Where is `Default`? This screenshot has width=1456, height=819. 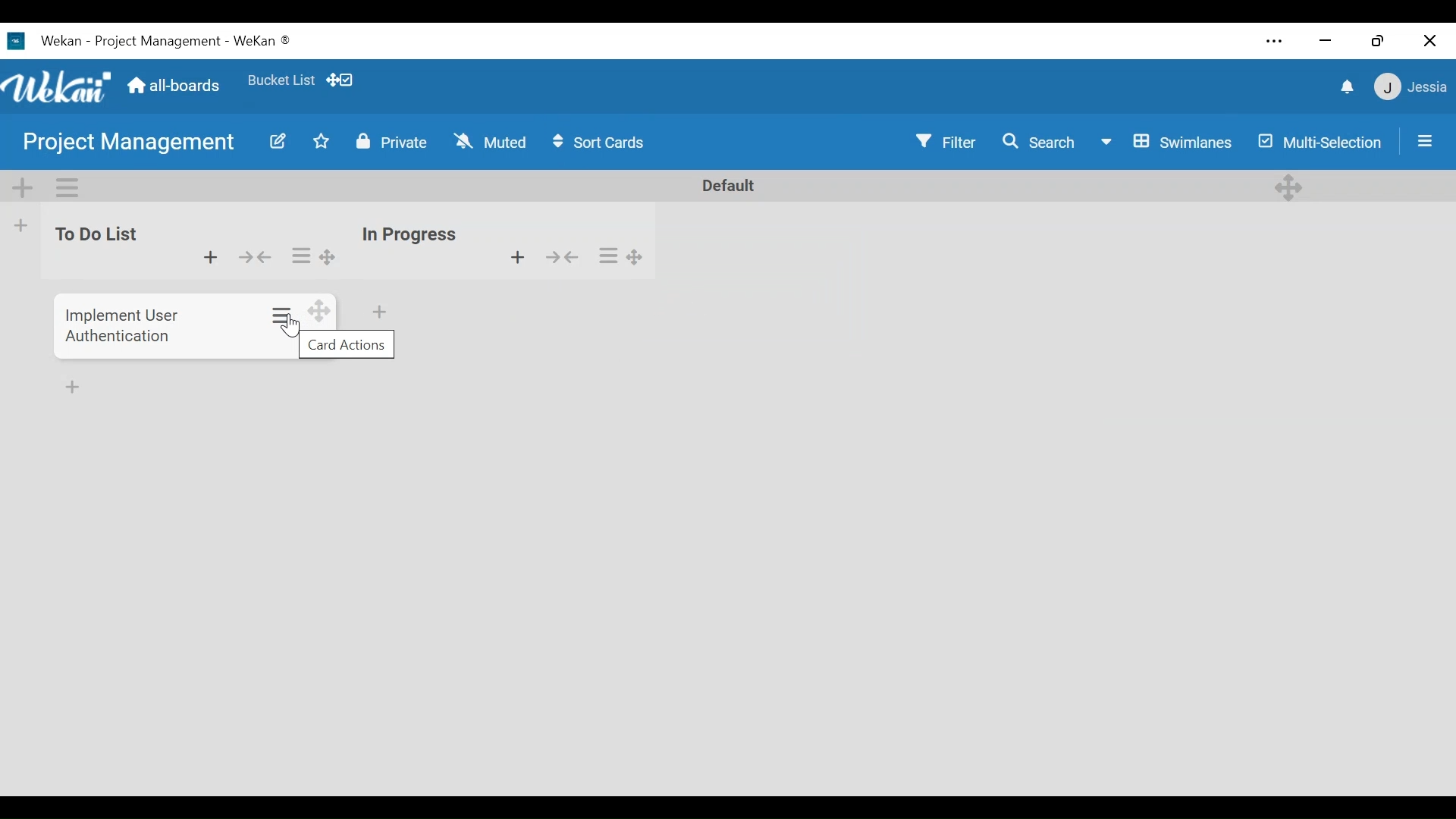 Default is located at coordinates (724, 185).